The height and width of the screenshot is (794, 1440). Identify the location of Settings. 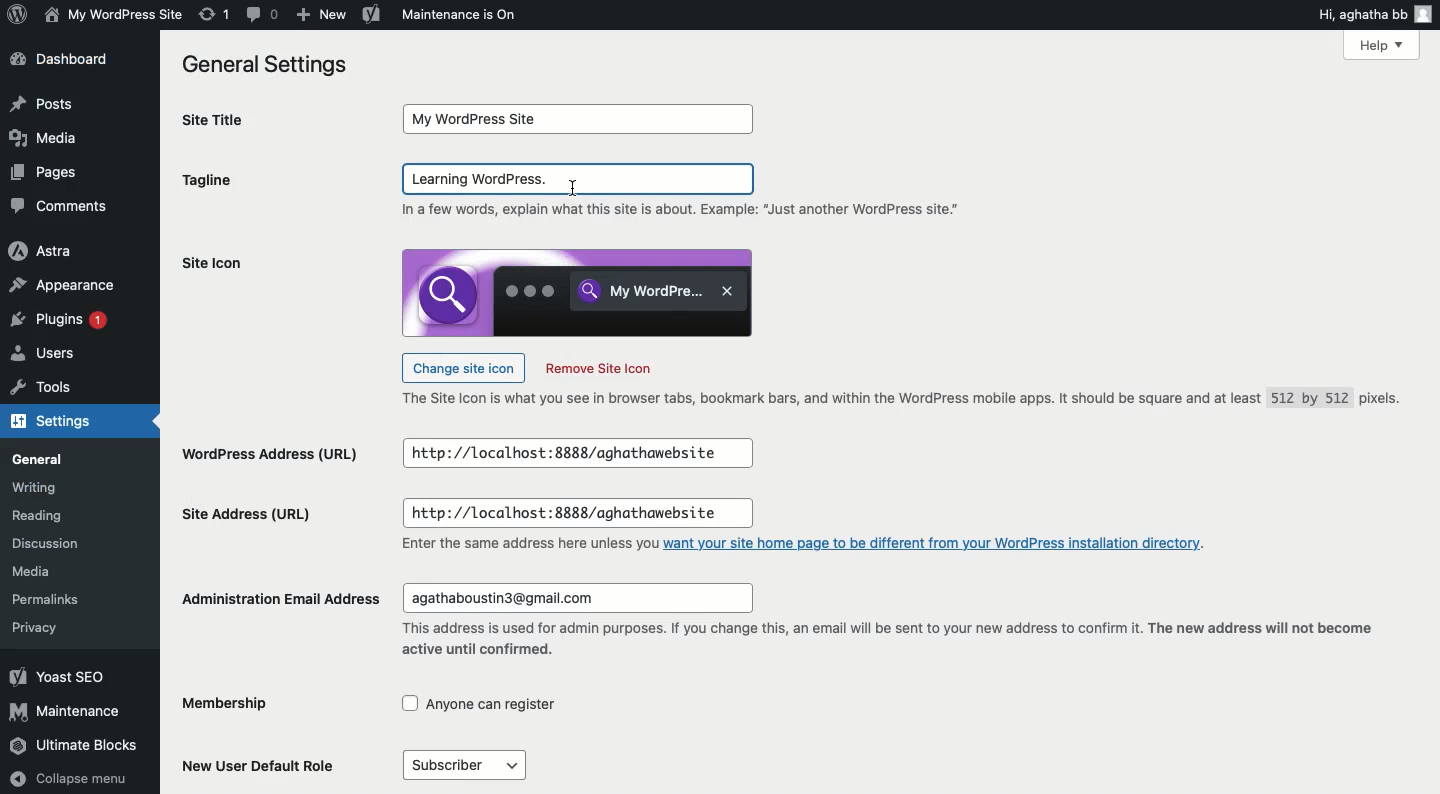
(62, 423).